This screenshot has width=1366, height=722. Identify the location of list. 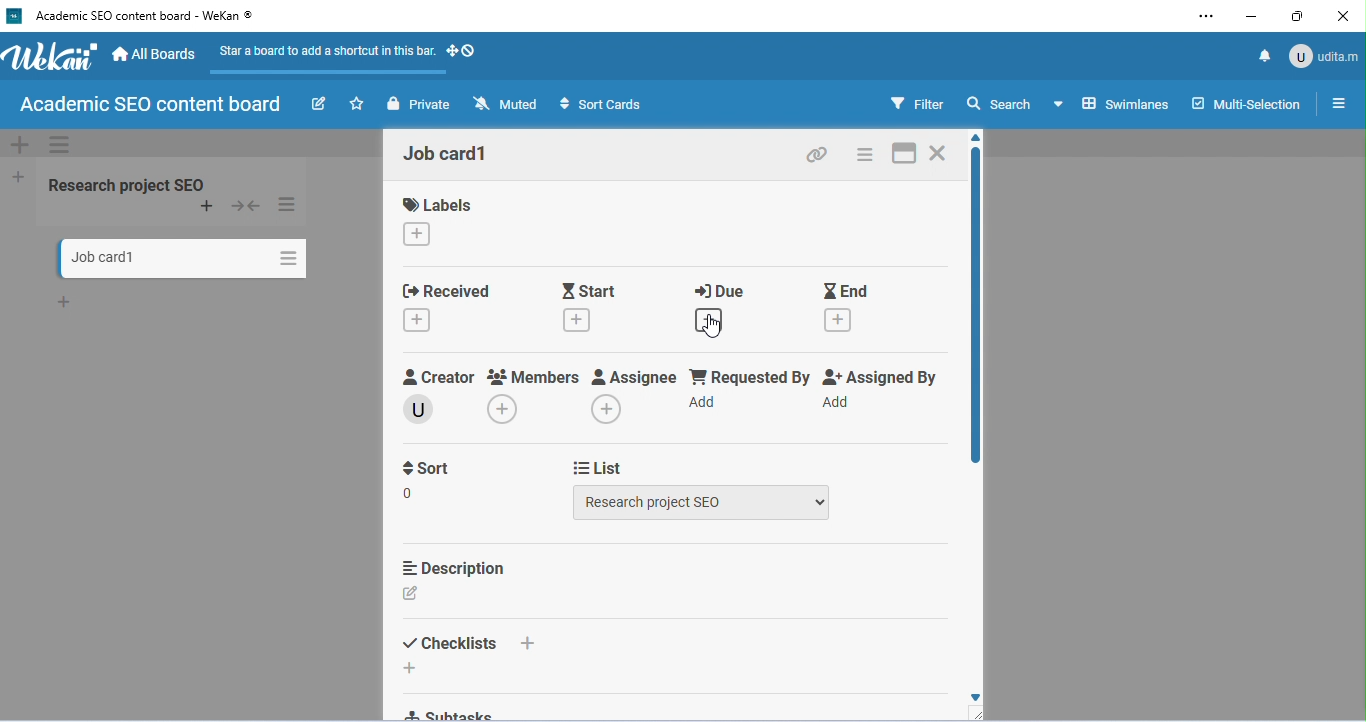
(598, 469).